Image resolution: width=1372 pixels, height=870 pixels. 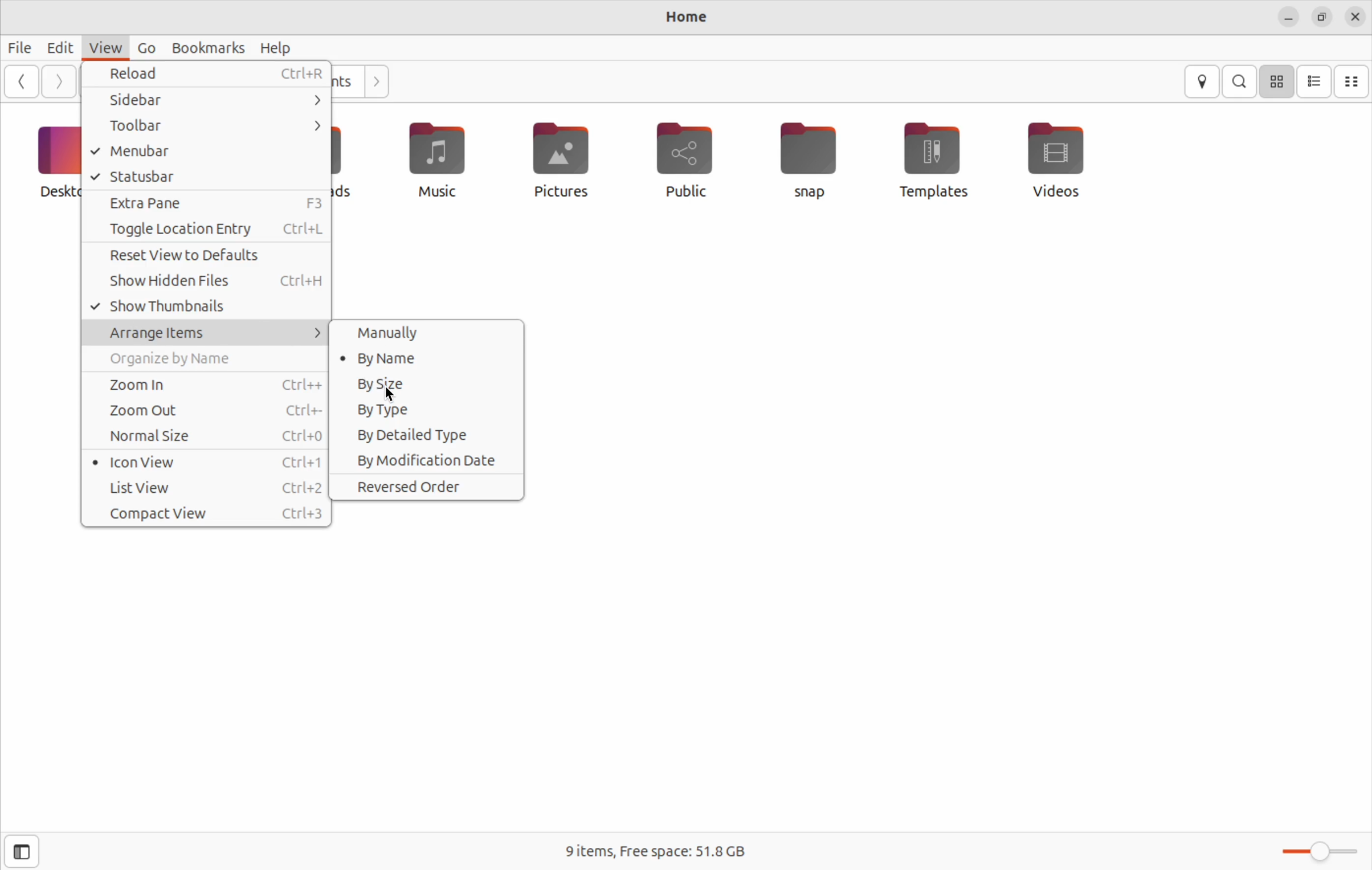 What do you see at coordinates (427, 486) in the screenshot?
I see `reversed order` at bounding box center [427, 486].